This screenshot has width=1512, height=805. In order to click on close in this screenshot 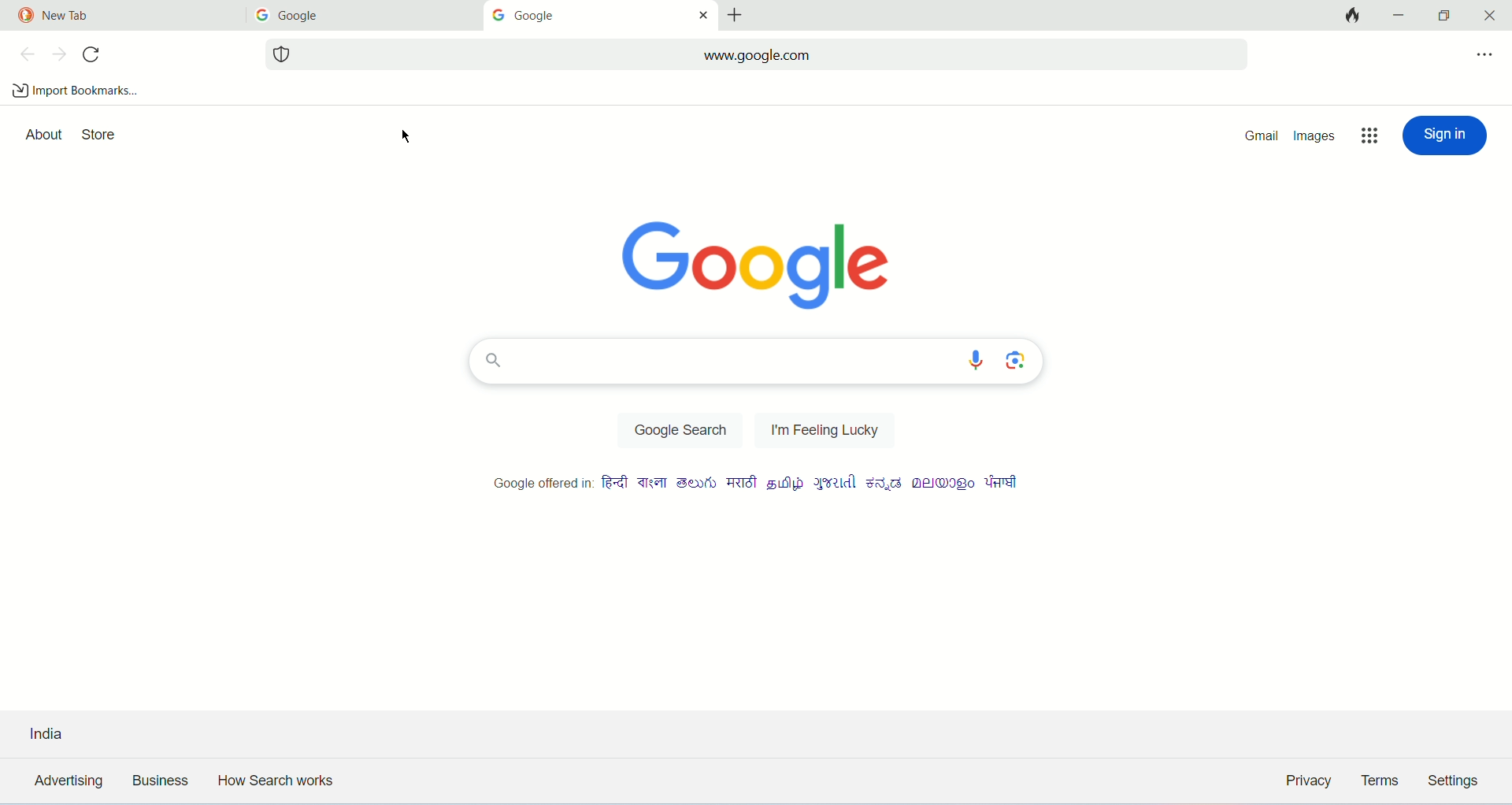, I will do `click(1492, 14)`.